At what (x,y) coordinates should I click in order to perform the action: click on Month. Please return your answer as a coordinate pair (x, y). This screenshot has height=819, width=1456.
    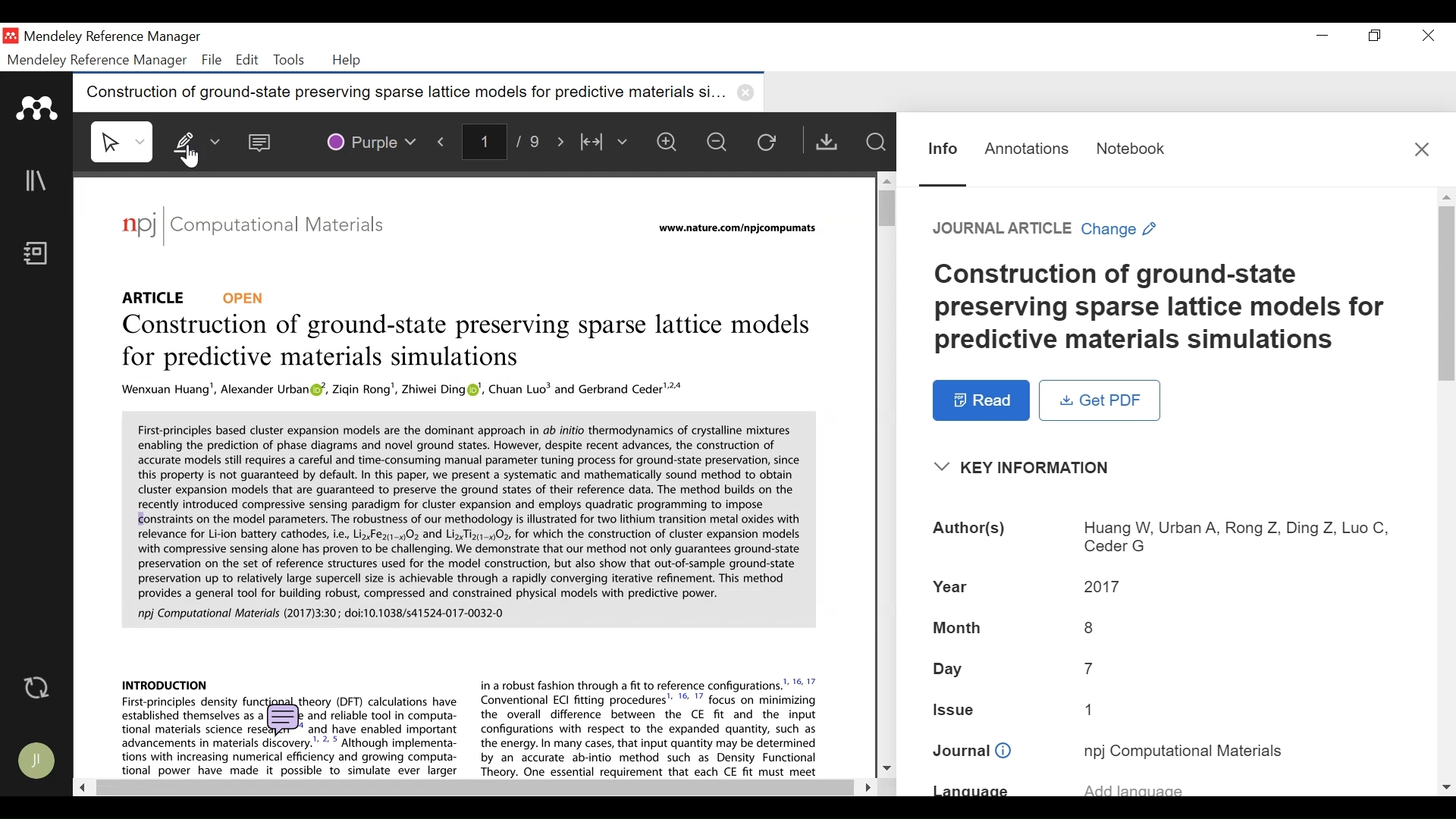
    Looking at the image, I should click on (1090, 627).